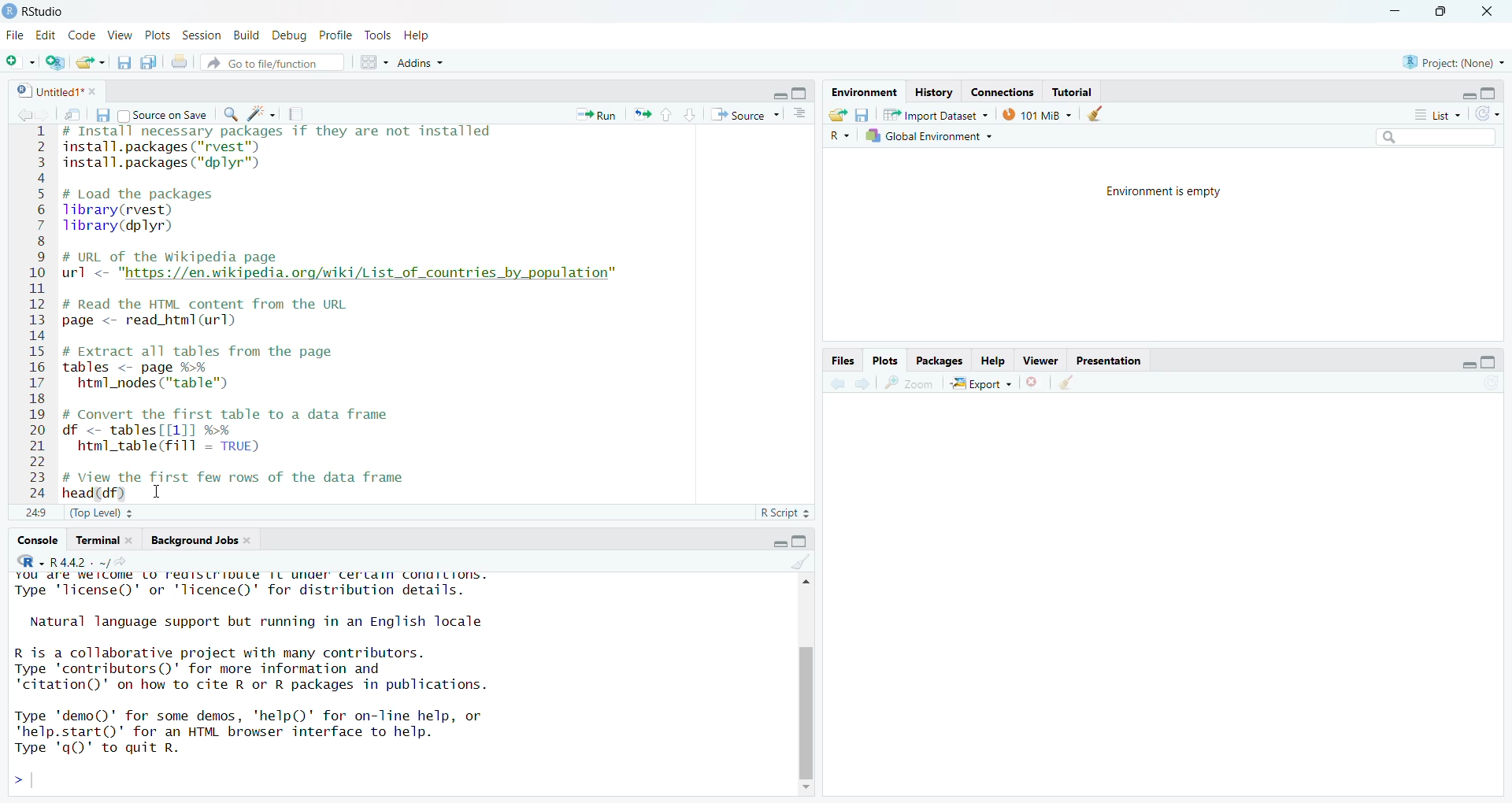  I want to click on 24:9, so click(36, 512).